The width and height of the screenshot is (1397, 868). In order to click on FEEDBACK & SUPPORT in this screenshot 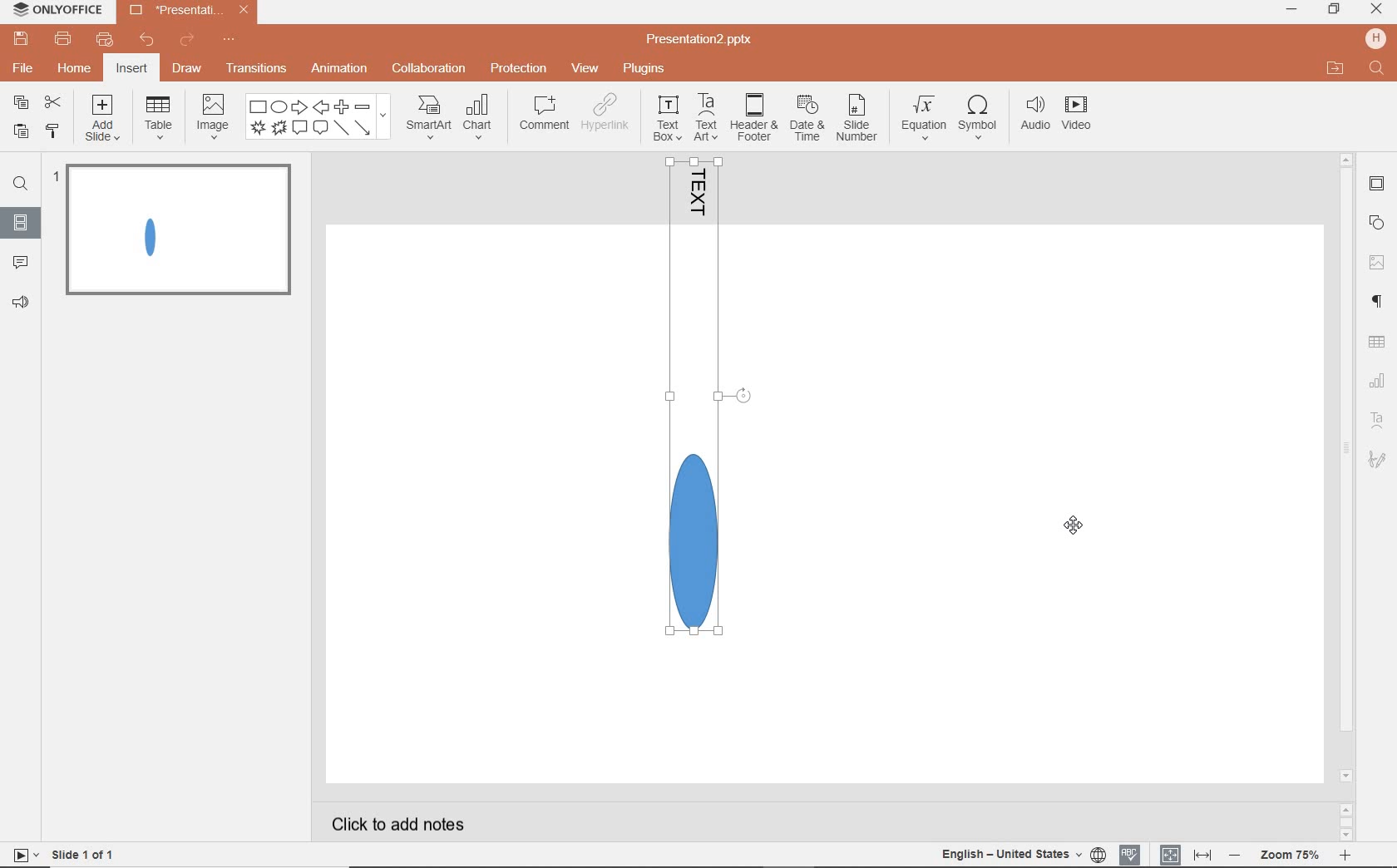, I will do `click(20, 302)`.